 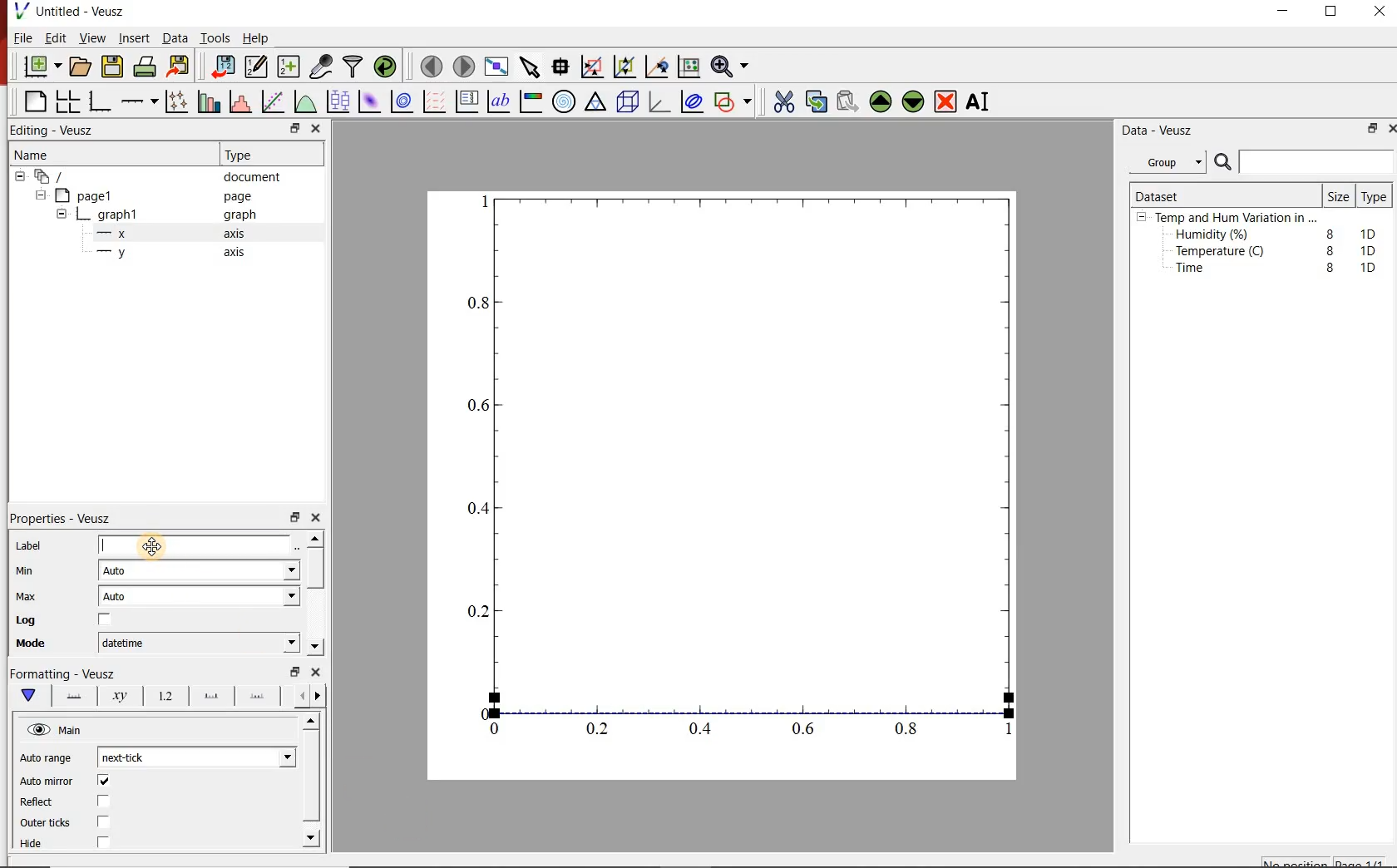 What do you see at coordinates (1296, 862) in the screenshot?
I see `No position` at bounding box center [1296, 862].